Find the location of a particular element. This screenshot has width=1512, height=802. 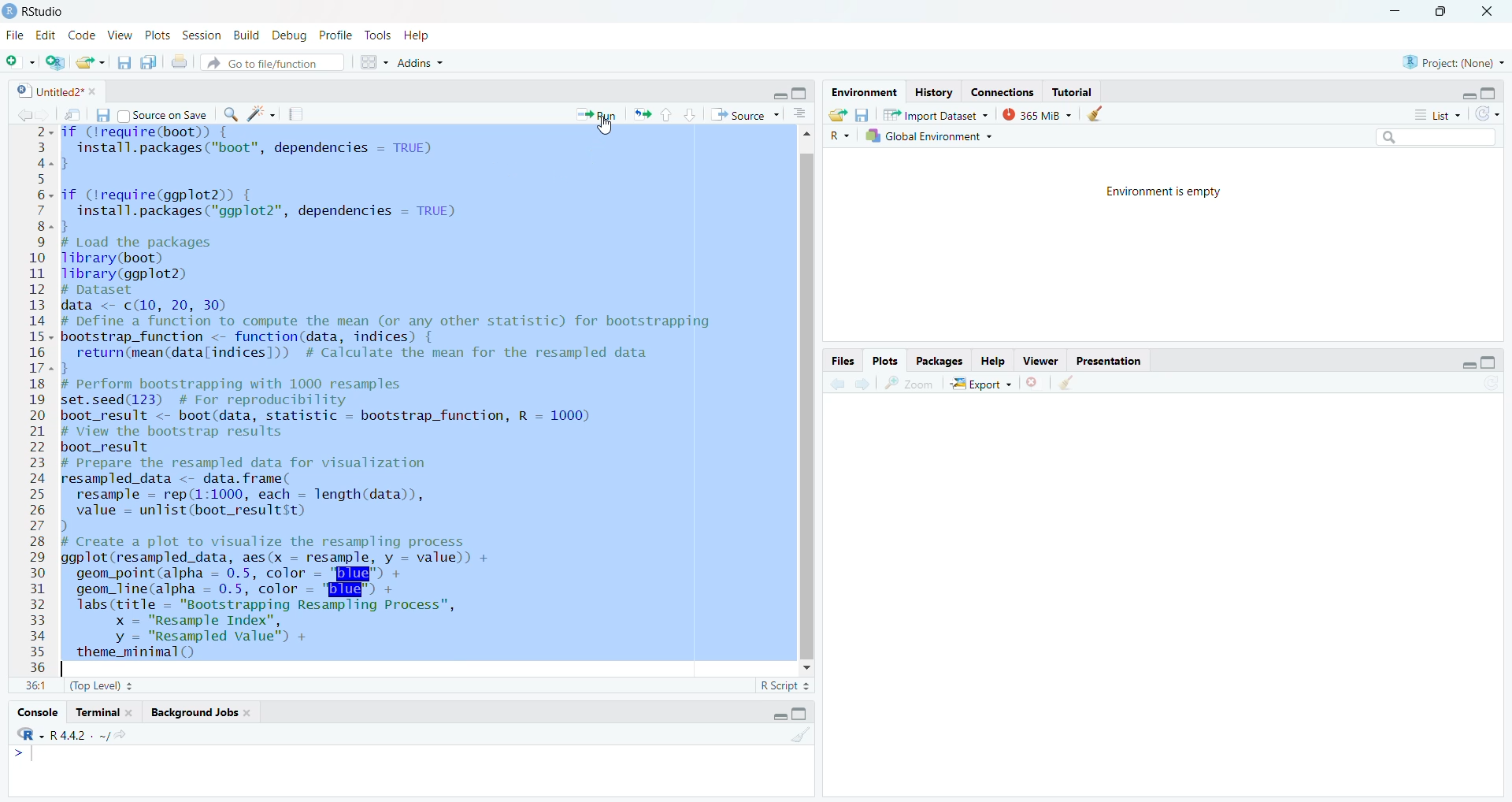

Environment is located at coordinates (858, 92).